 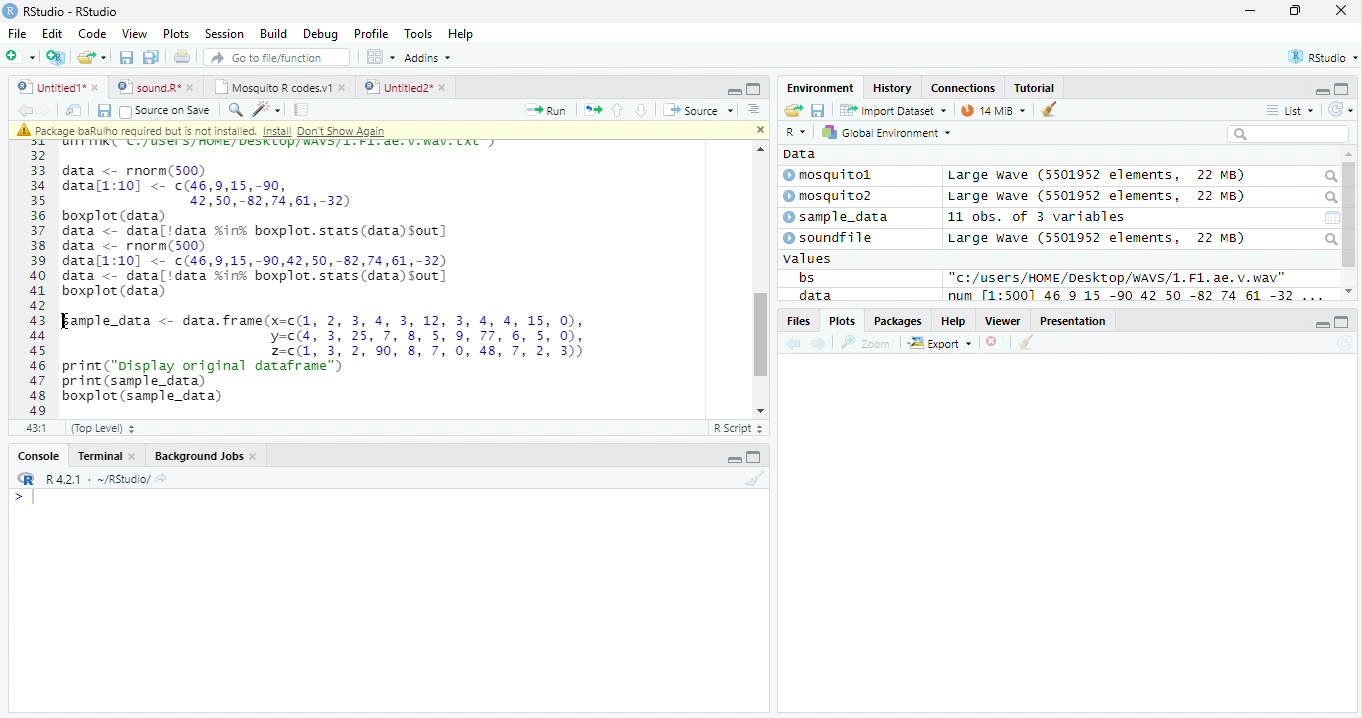 I want to click on File, so click(x=18, y=34).